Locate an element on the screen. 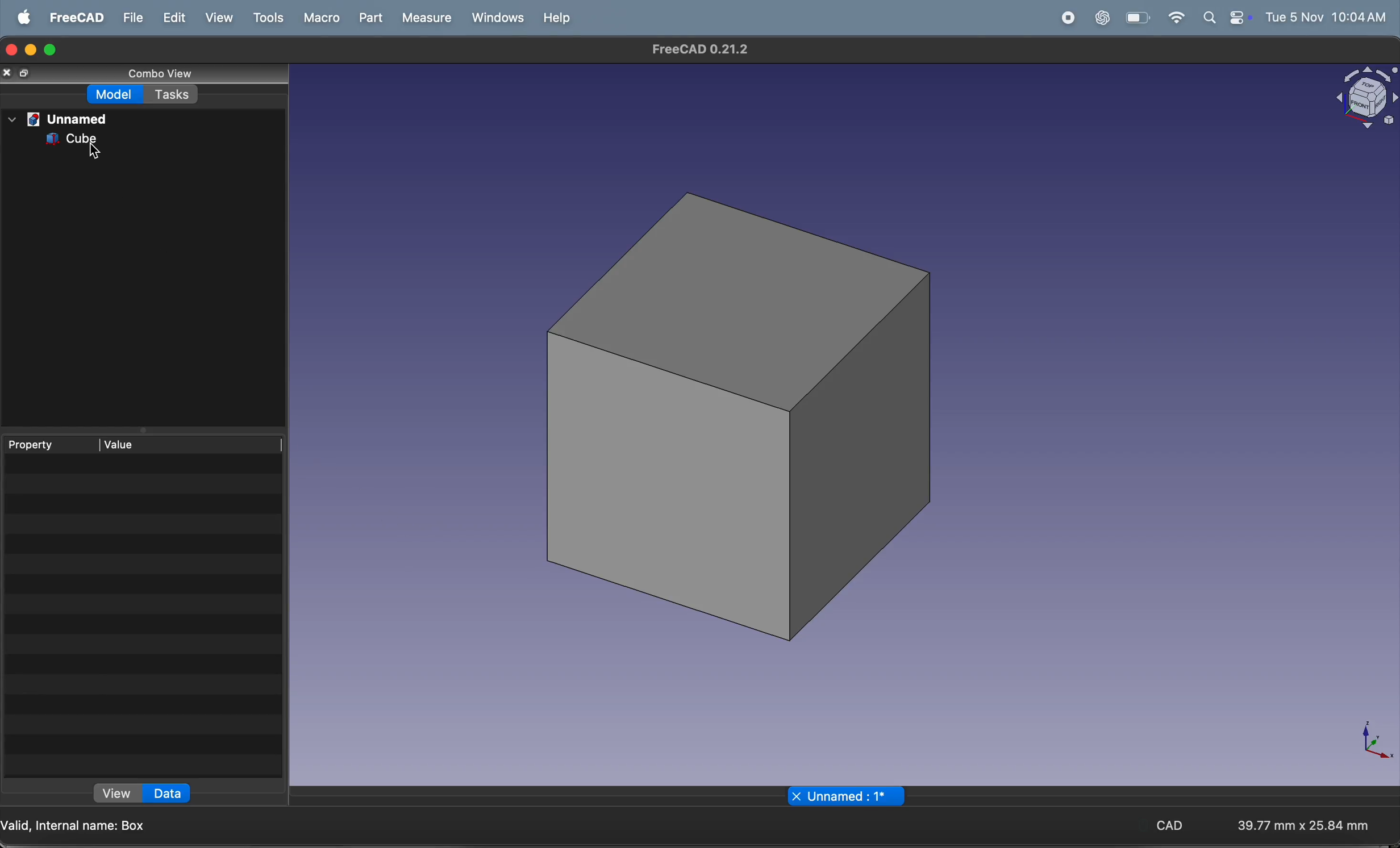 The image size is (1400, 848). apple widgets is located at coordinates (1211, 17).